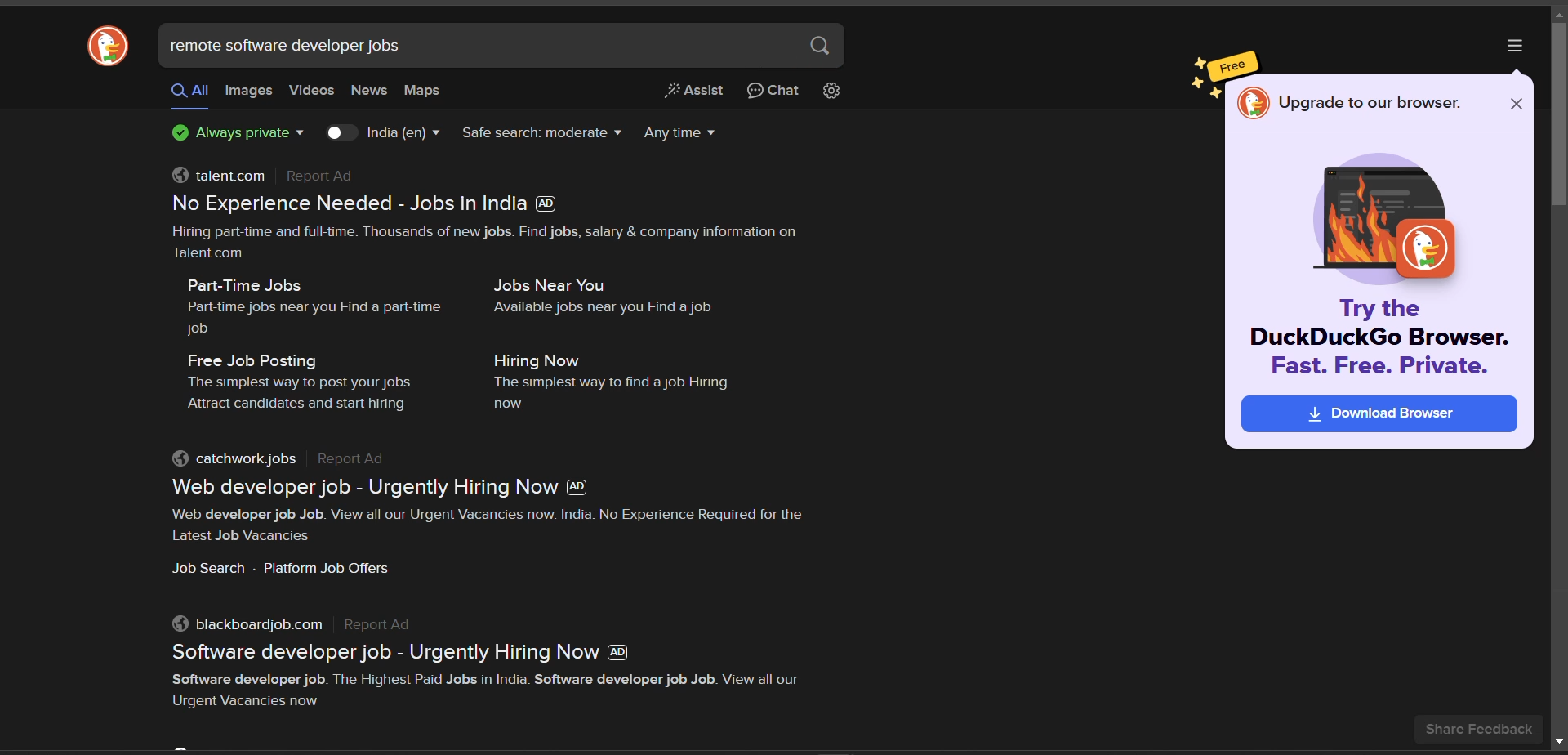 The height and width of the screenshot is (755, 1568). What do you see at coordinates (341, 133) in the screenshot?
I see `toggle country key` at bounding box center [341, 133].